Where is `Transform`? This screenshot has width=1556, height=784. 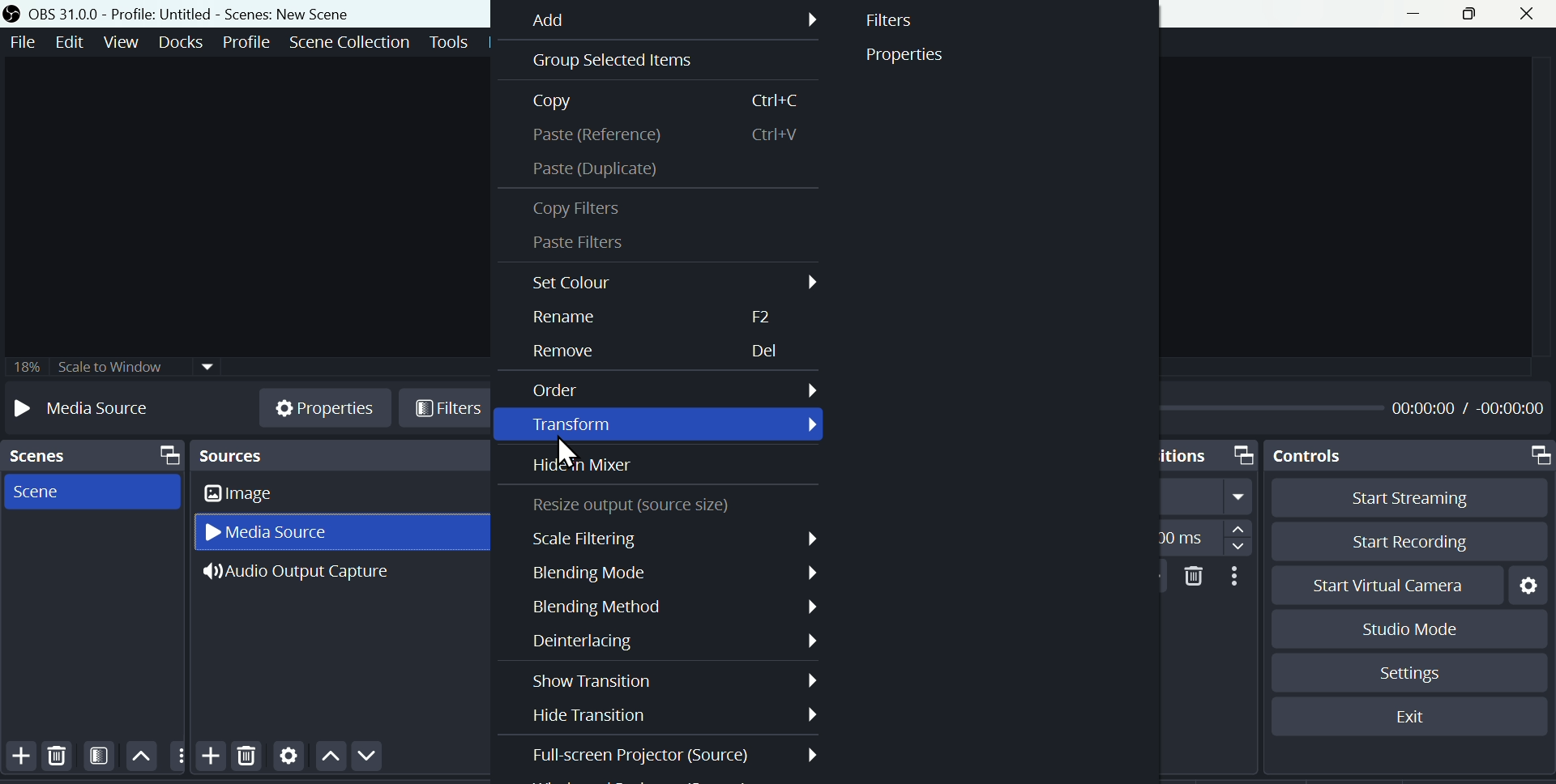 Transform is located at coordinates (678, 425).